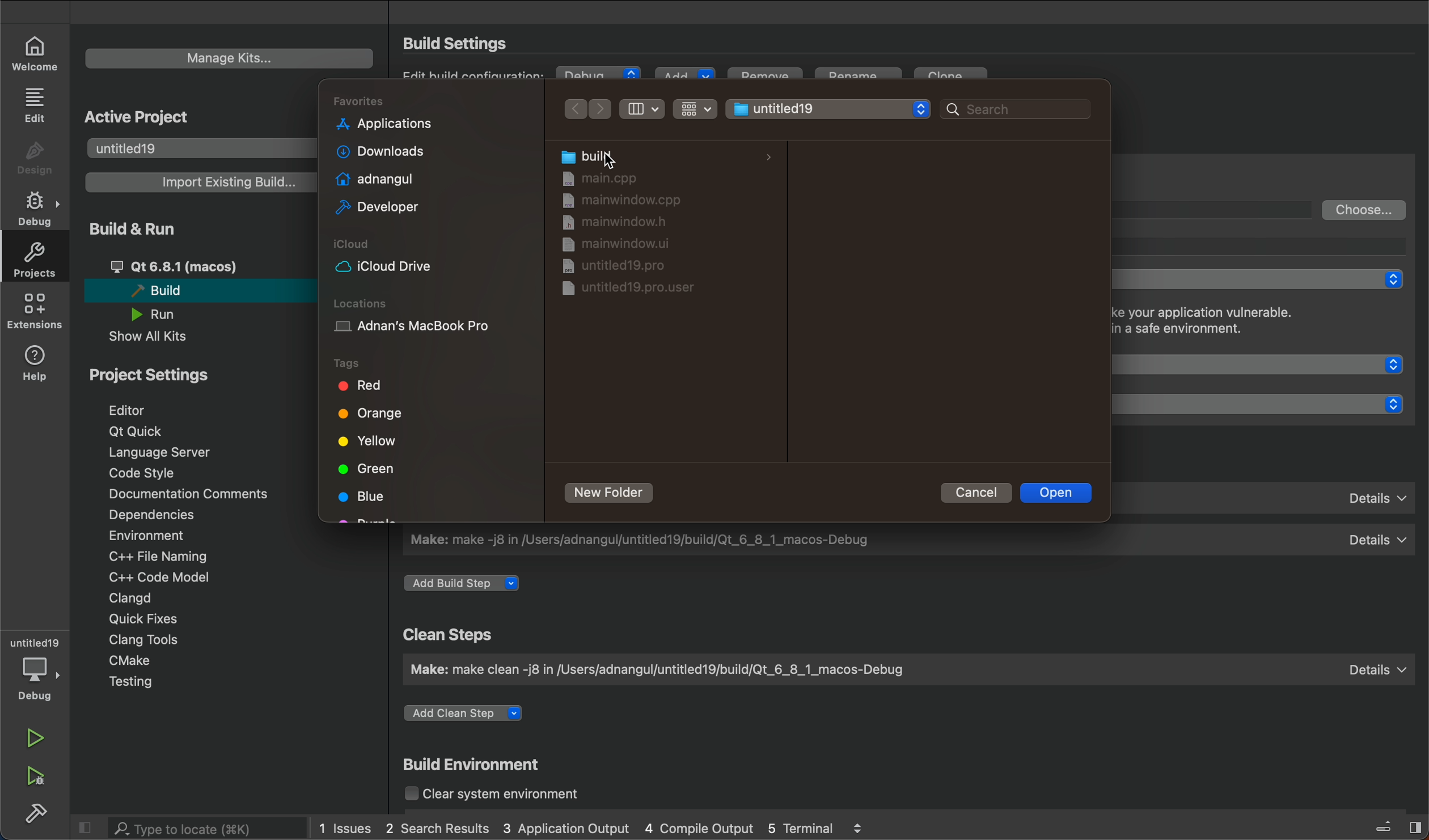 This screenshot has height=840, width=1429. I want to click on file, so click(627, 224).